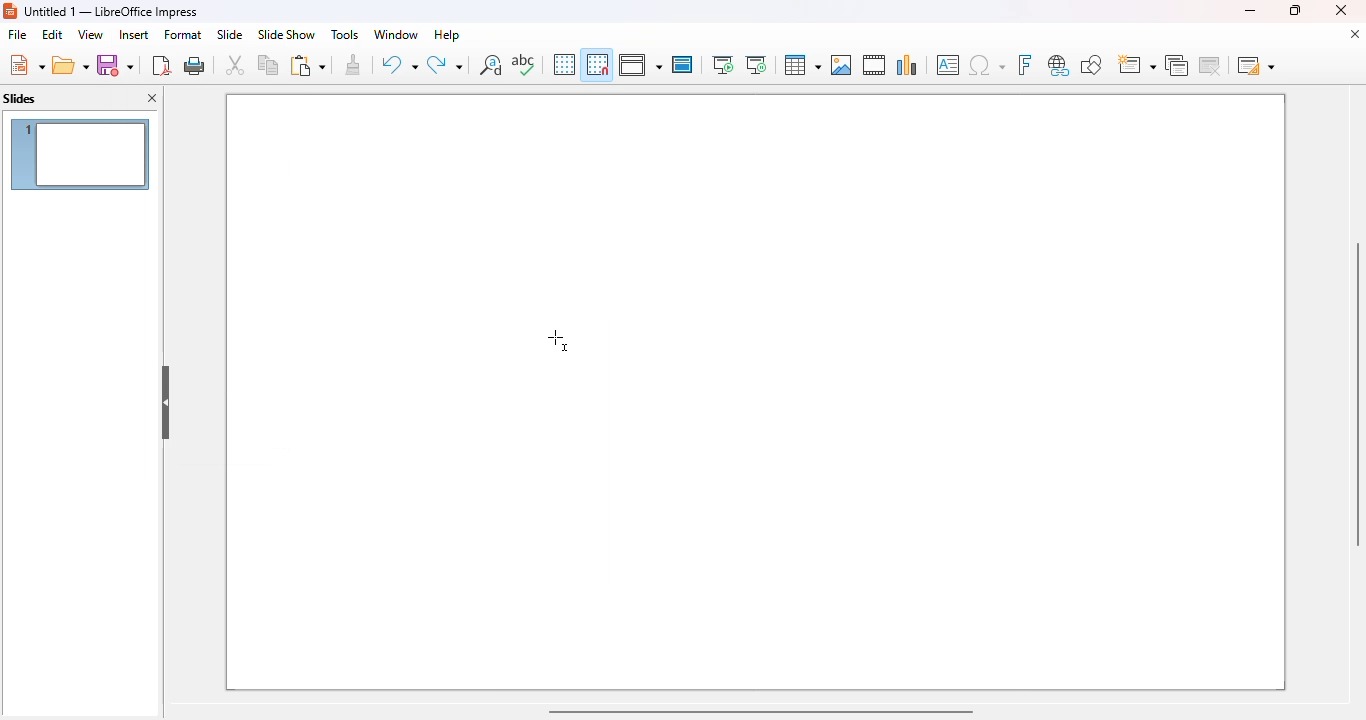 The height and width of the screenshot is (720, 1366). I want to click on insert audio or video, so click(874, 64).